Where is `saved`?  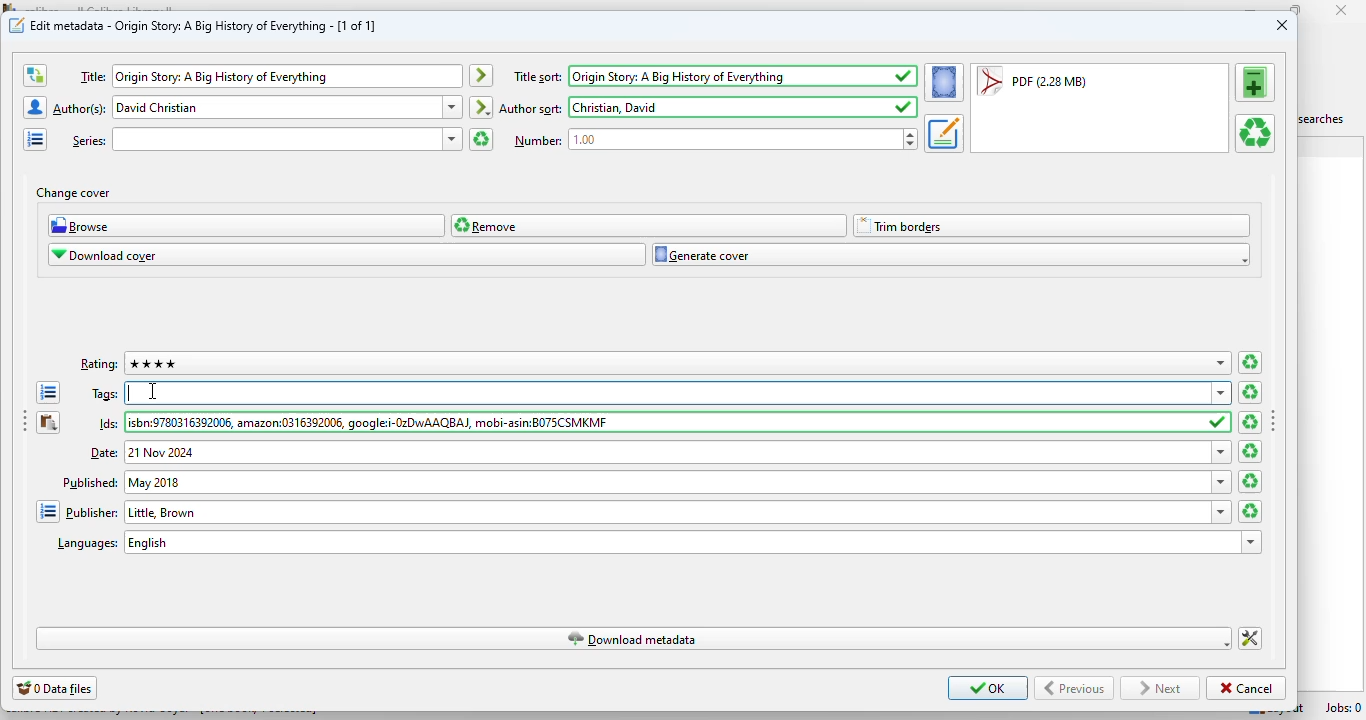
saved is located at coordinates (905, 76).